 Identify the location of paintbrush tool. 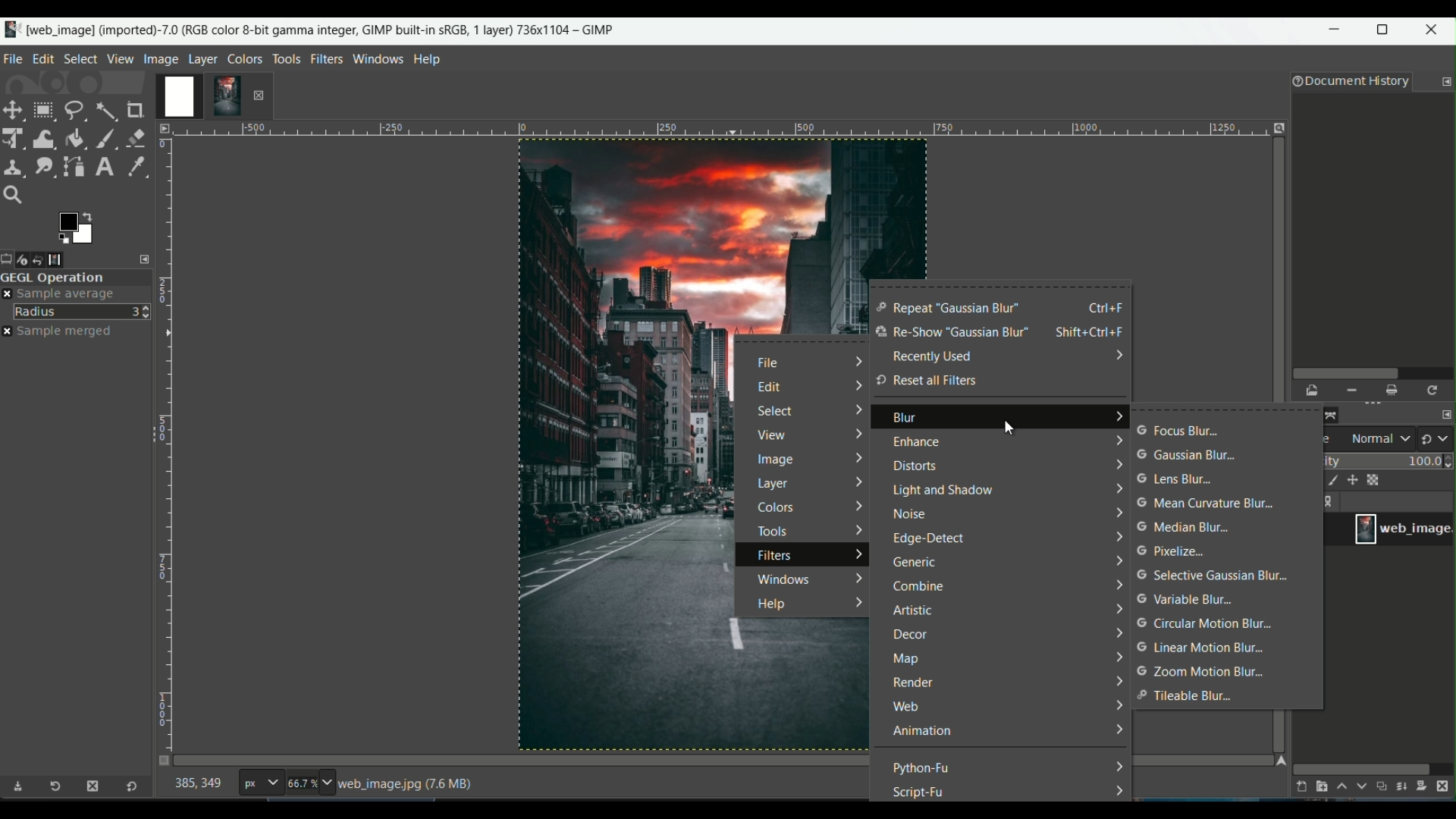
(105, 137).